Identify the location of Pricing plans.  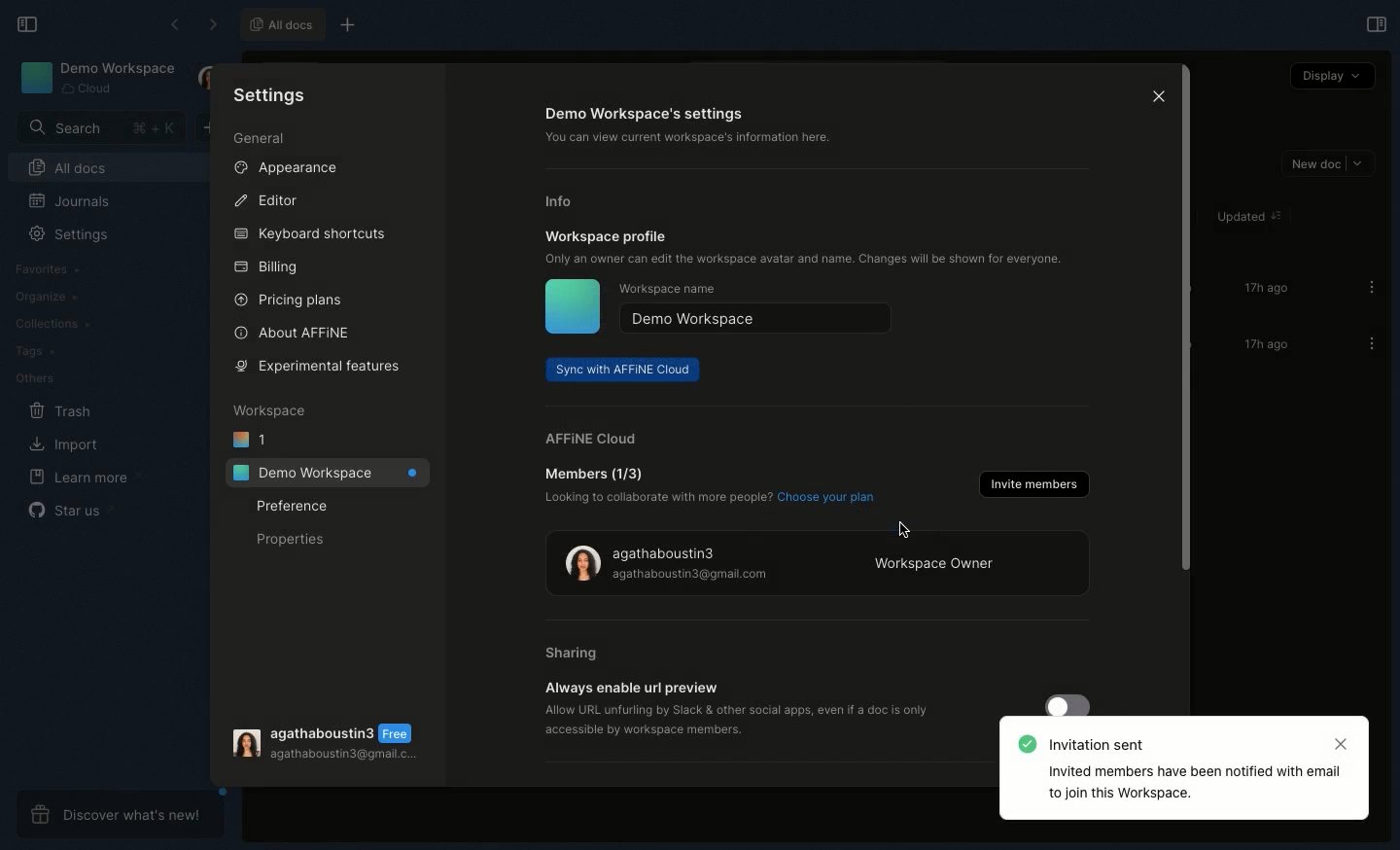
(289, 300).